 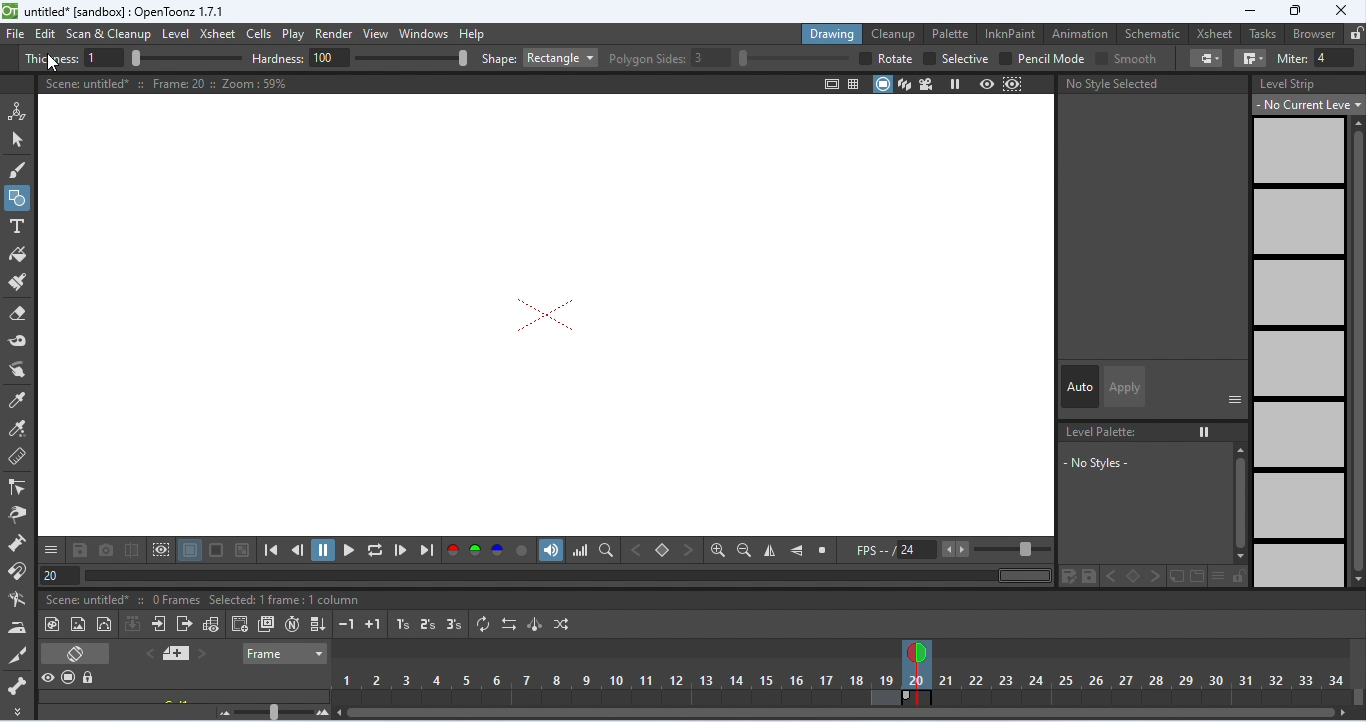 I want to click on level, so click(x=174, y=34).